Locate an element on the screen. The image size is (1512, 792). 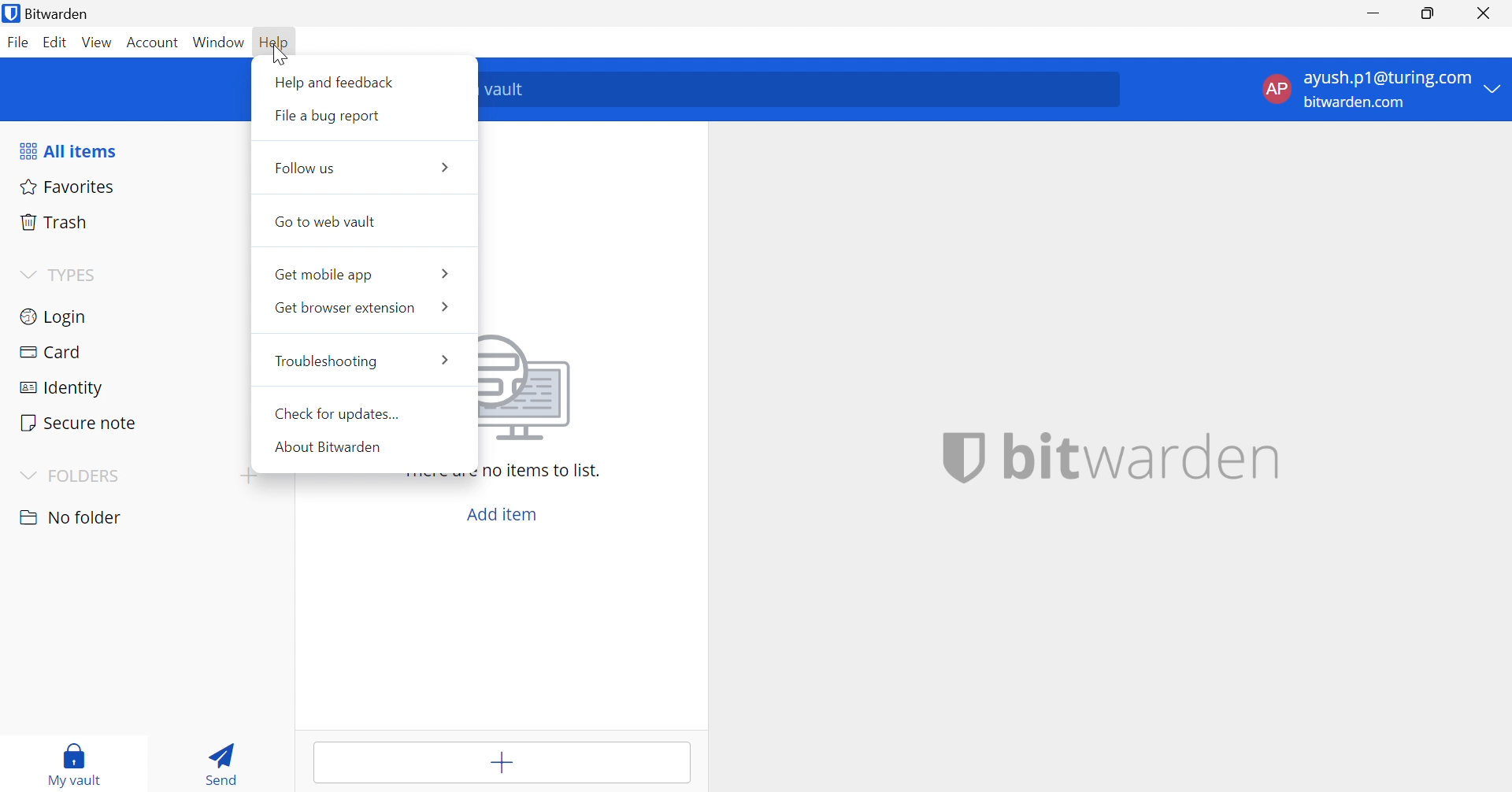
Window is located at coordinates (219, 43).